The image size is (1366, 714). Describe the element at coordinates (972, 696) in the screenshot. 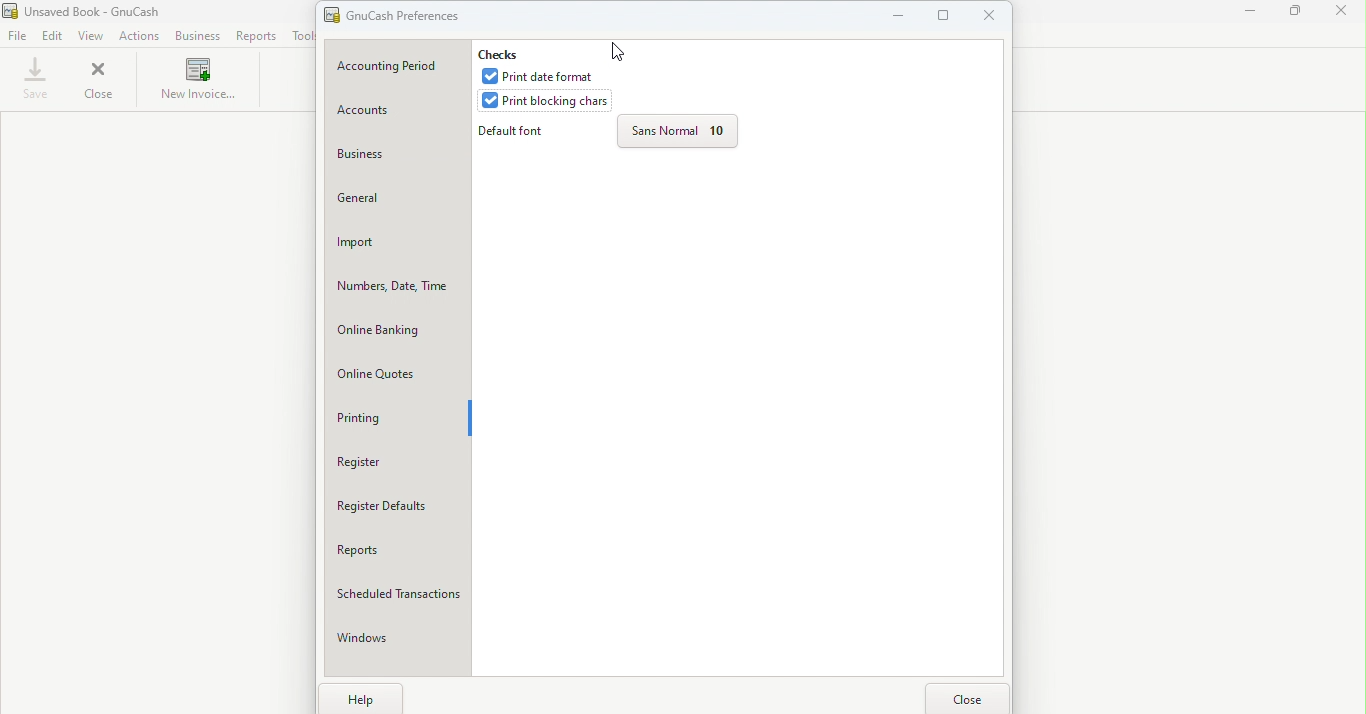

I see `Close` at that location.